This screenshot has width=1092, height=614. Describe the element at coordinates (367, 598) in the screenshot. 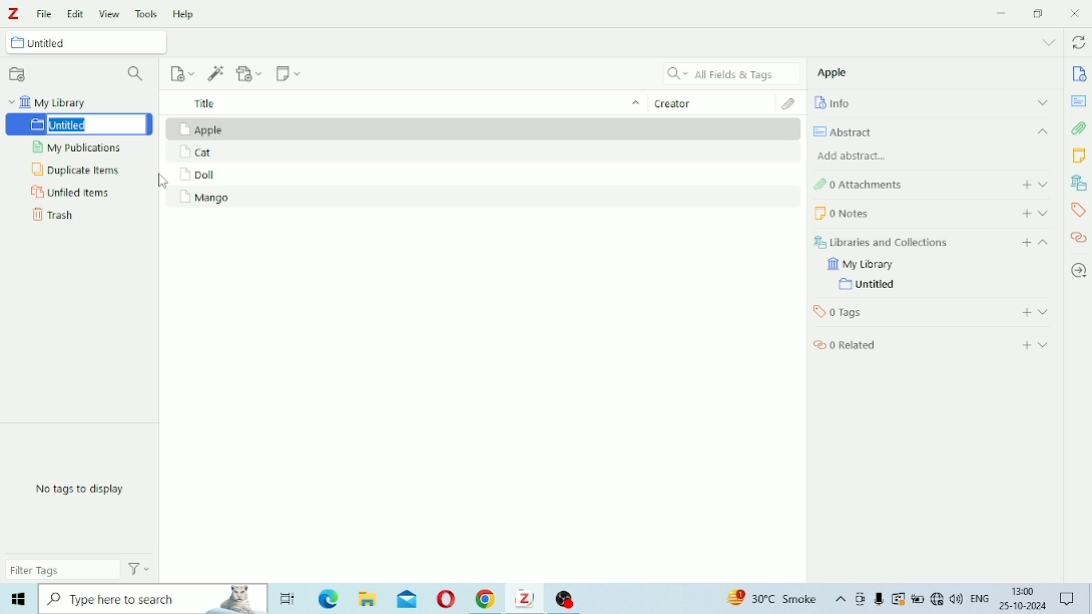

I see `` at that location.